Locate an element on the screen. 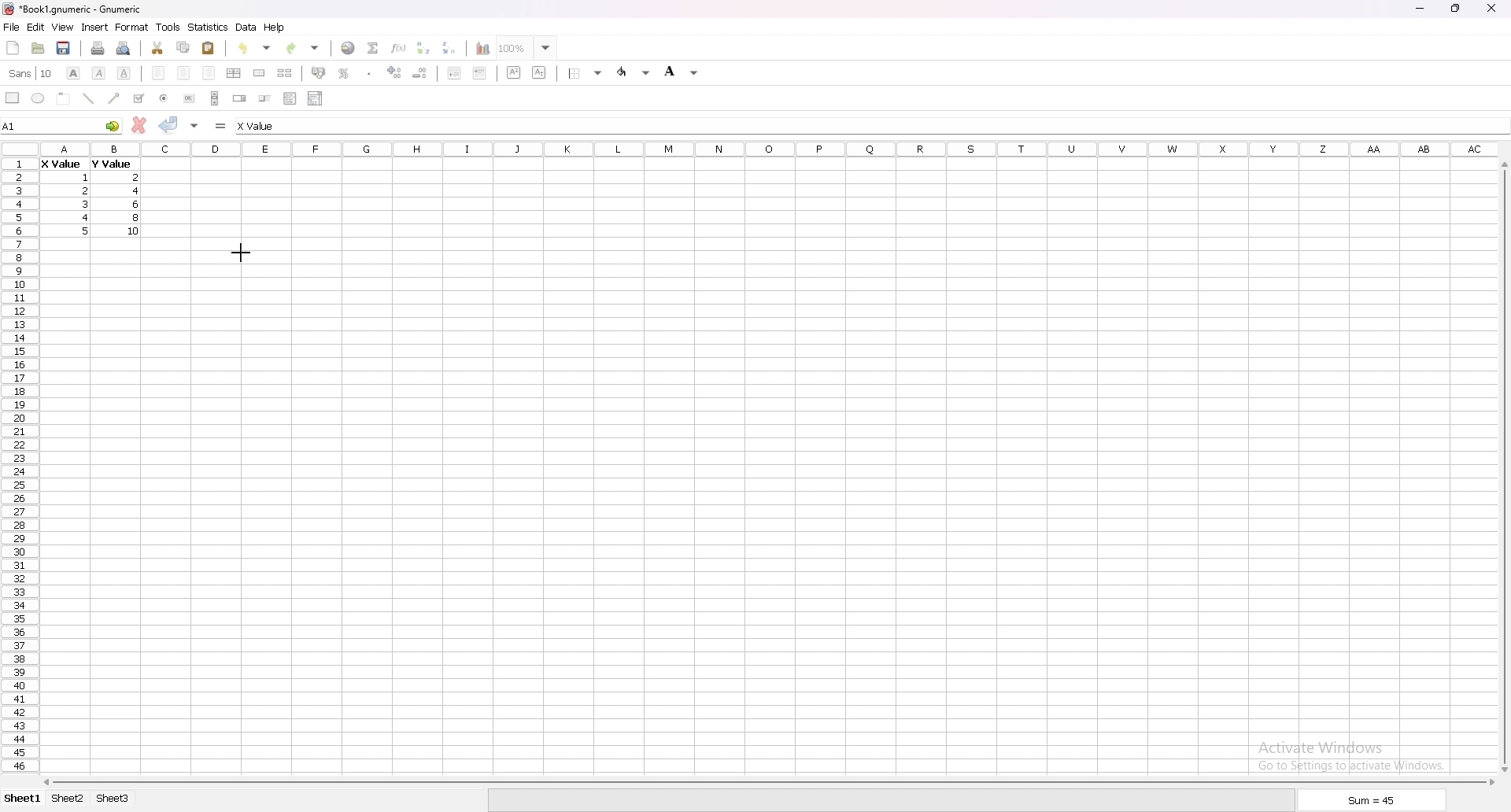  tools is located at coordinates (168, 27).